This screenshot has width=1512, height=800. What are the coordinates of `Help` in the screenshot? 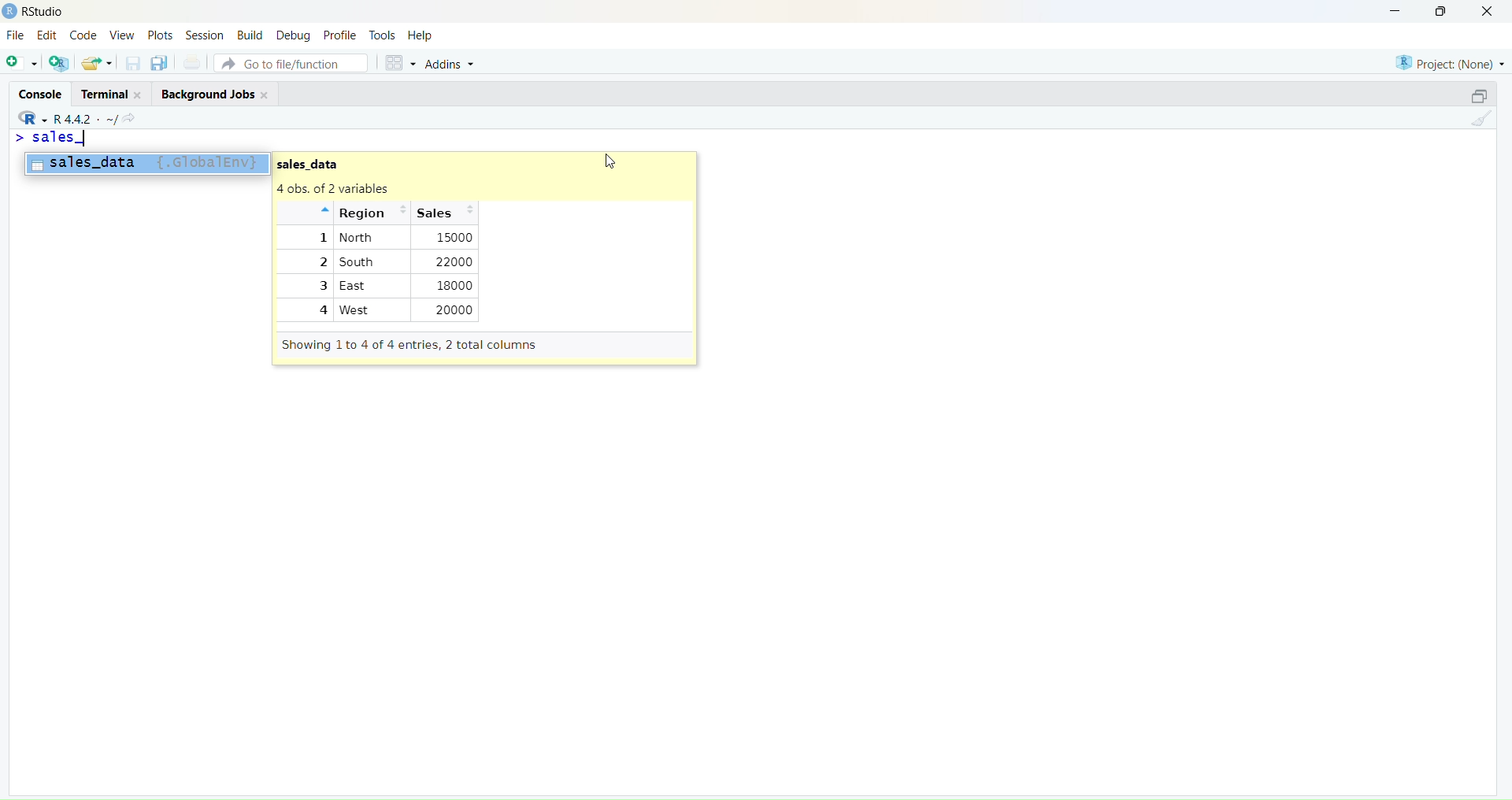 It's located at (423, 36).